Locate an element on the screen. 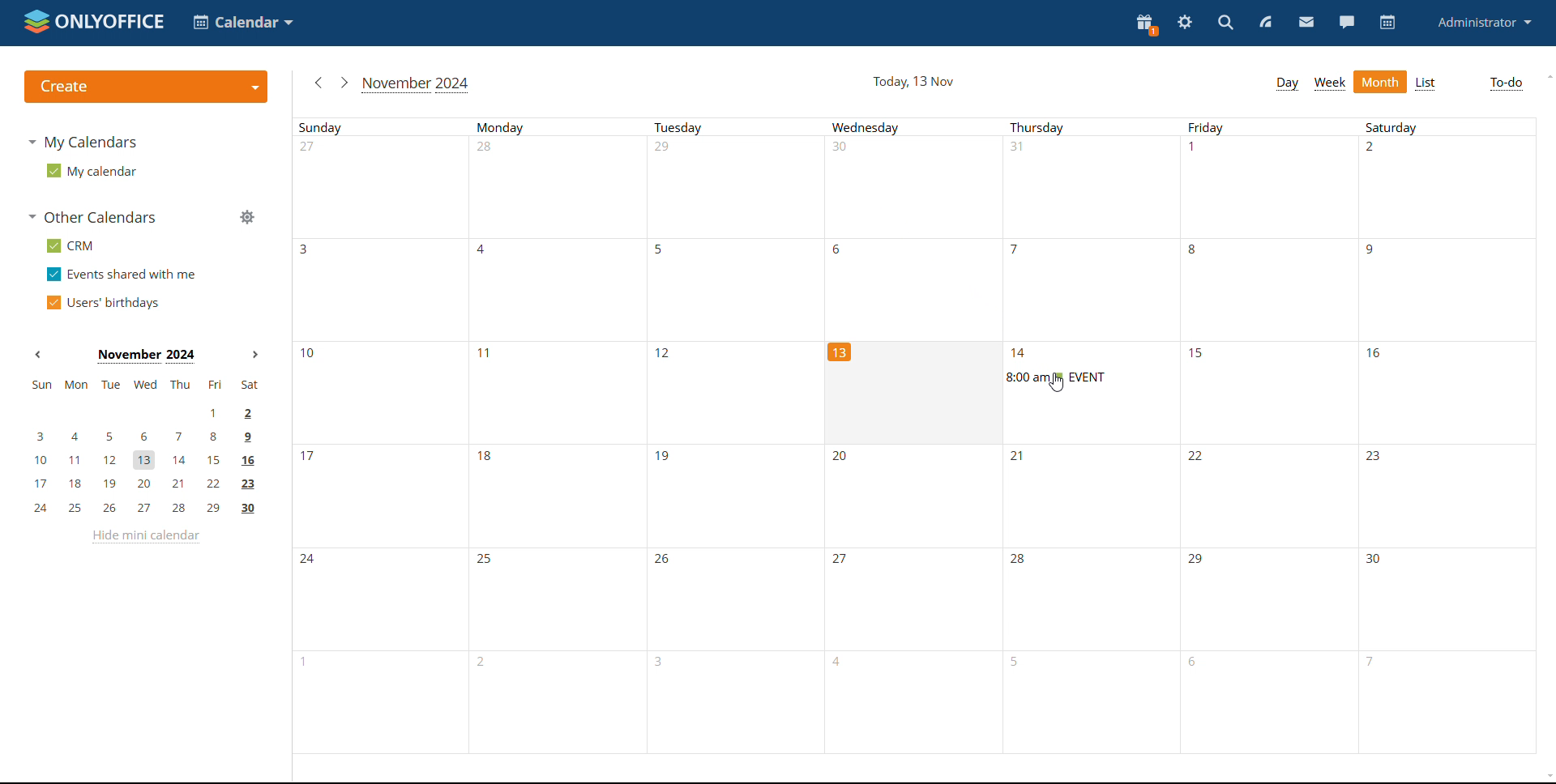 The image size is (1556, 784). Dates of the month is located at coordinates (917, 188).